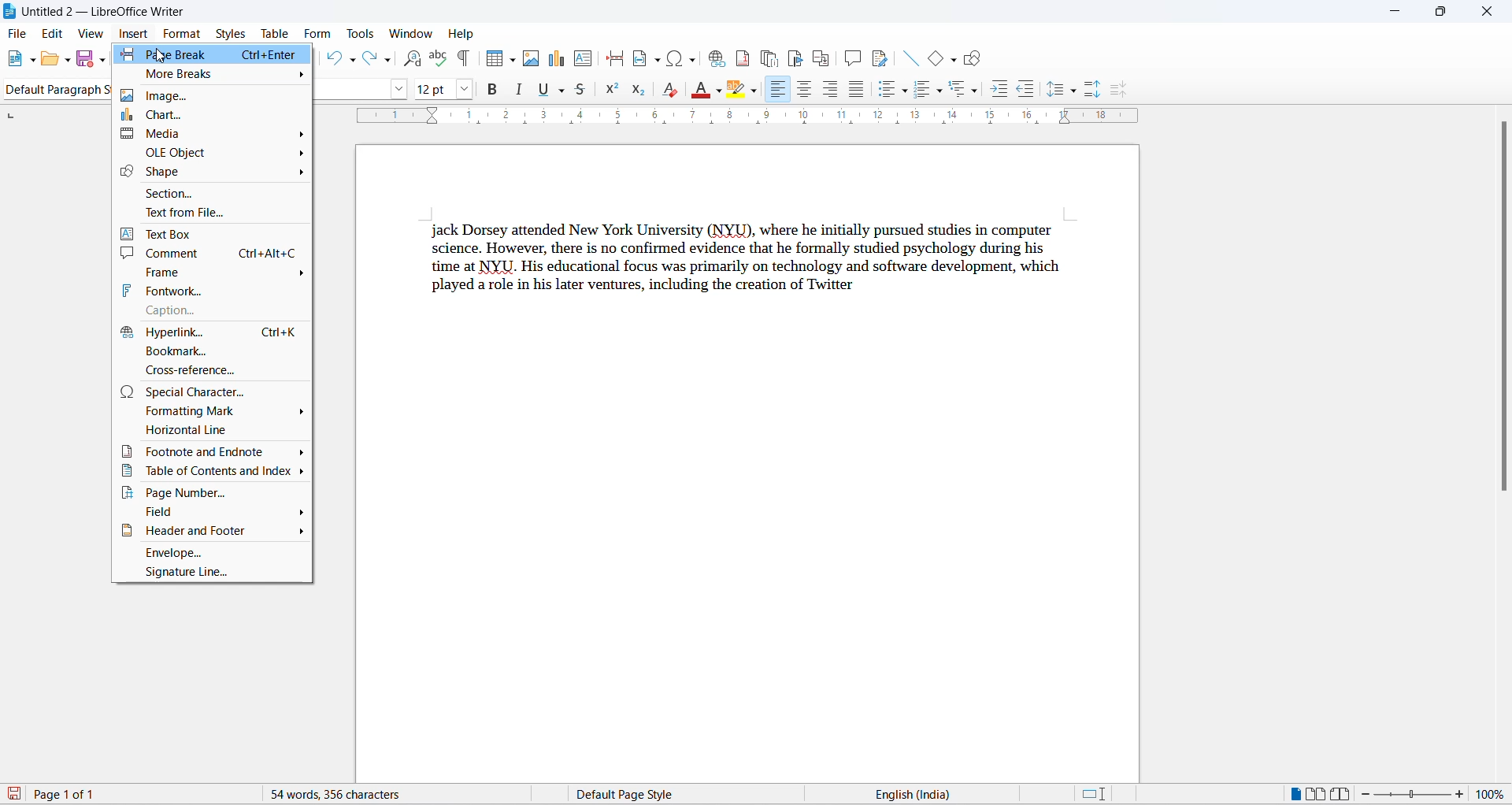 The height and width of the screenshot is (805, 1512). I want to click on insert endnote, so click(767, 58).